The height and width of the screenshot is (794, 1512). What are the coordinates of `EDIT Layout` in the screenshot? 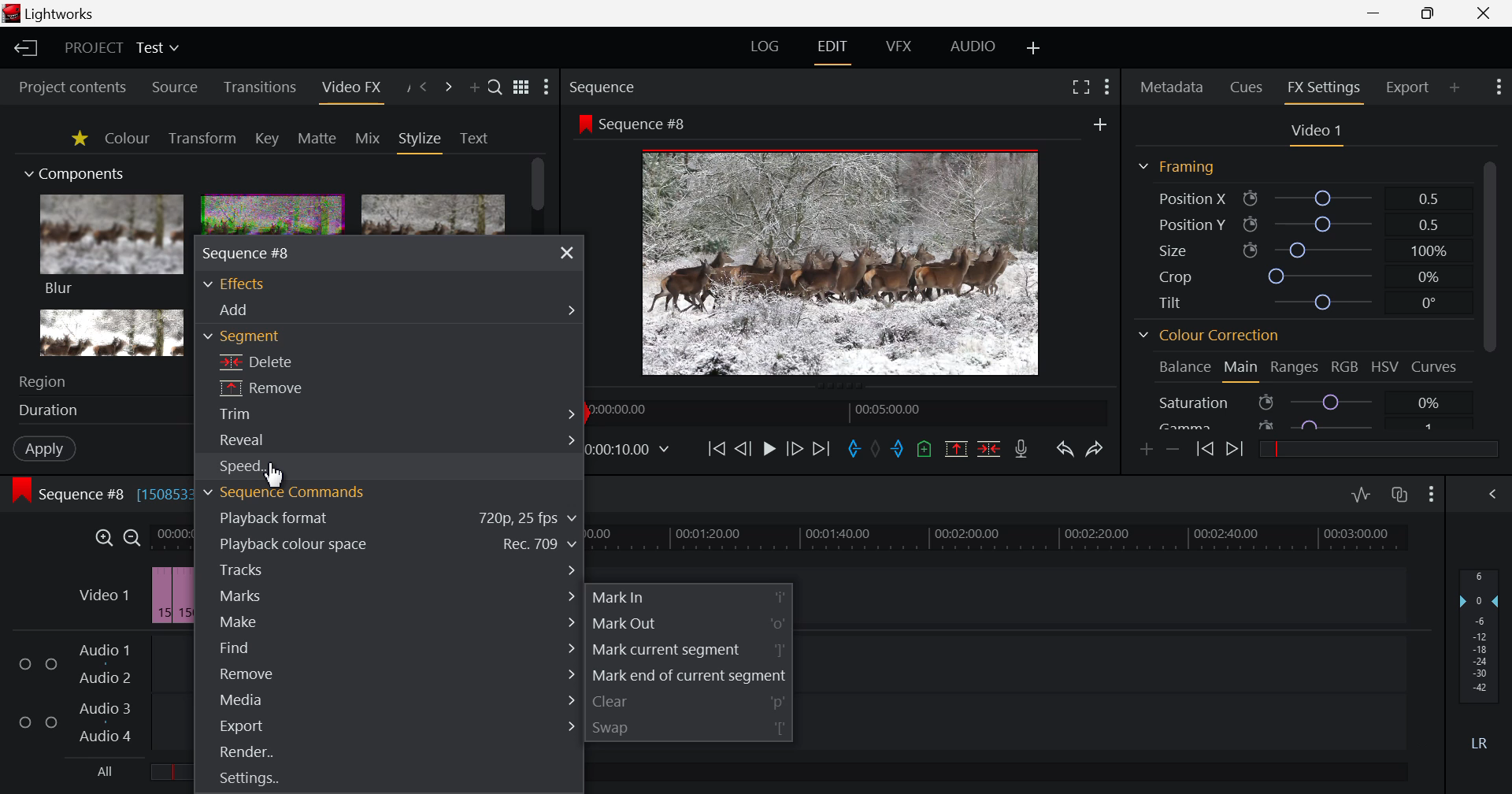 It's located at (831, 50).